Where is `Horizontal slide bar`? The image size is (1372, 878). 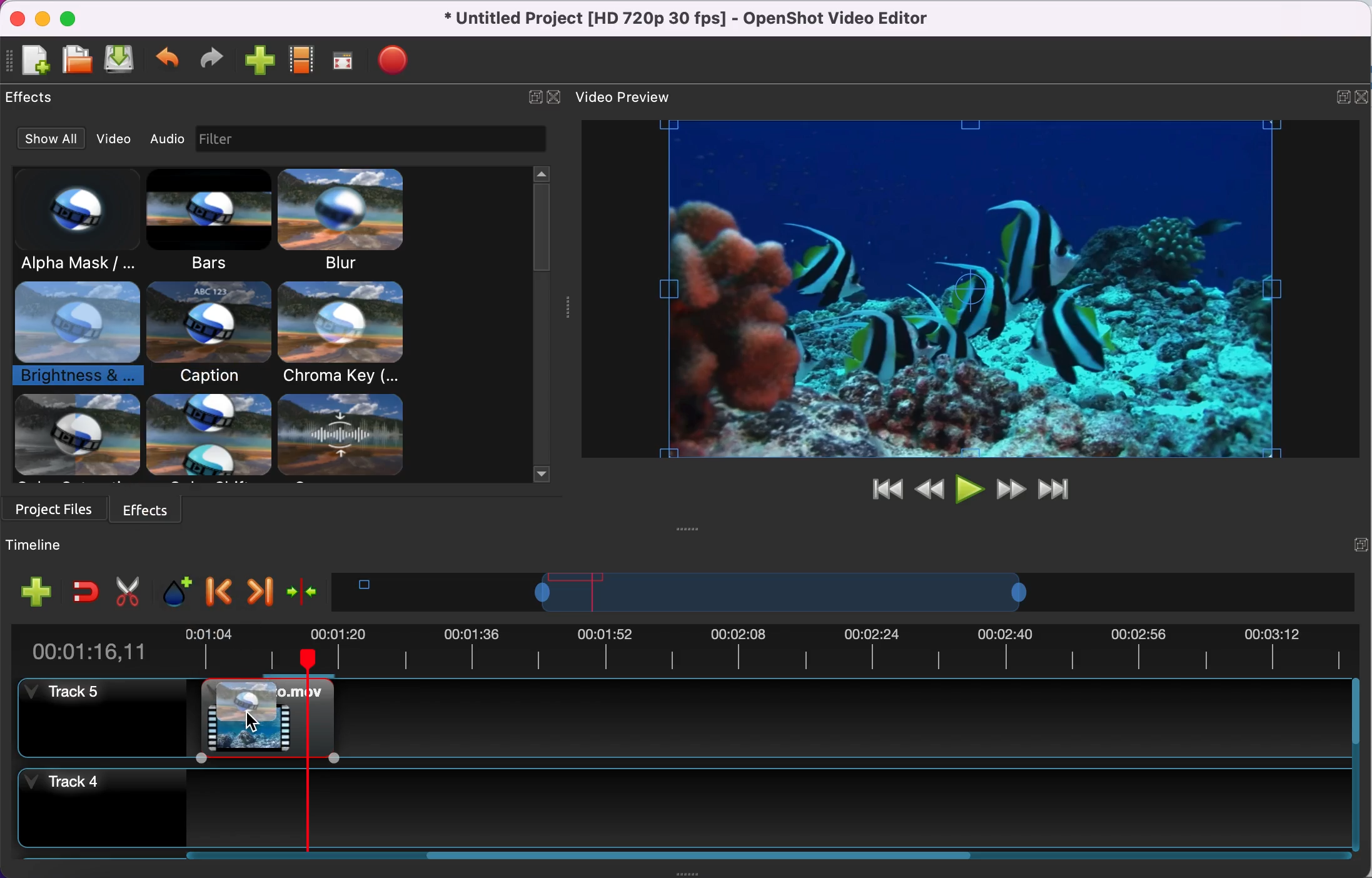
Horizontal slide bar is located at coordinates (753, 855).